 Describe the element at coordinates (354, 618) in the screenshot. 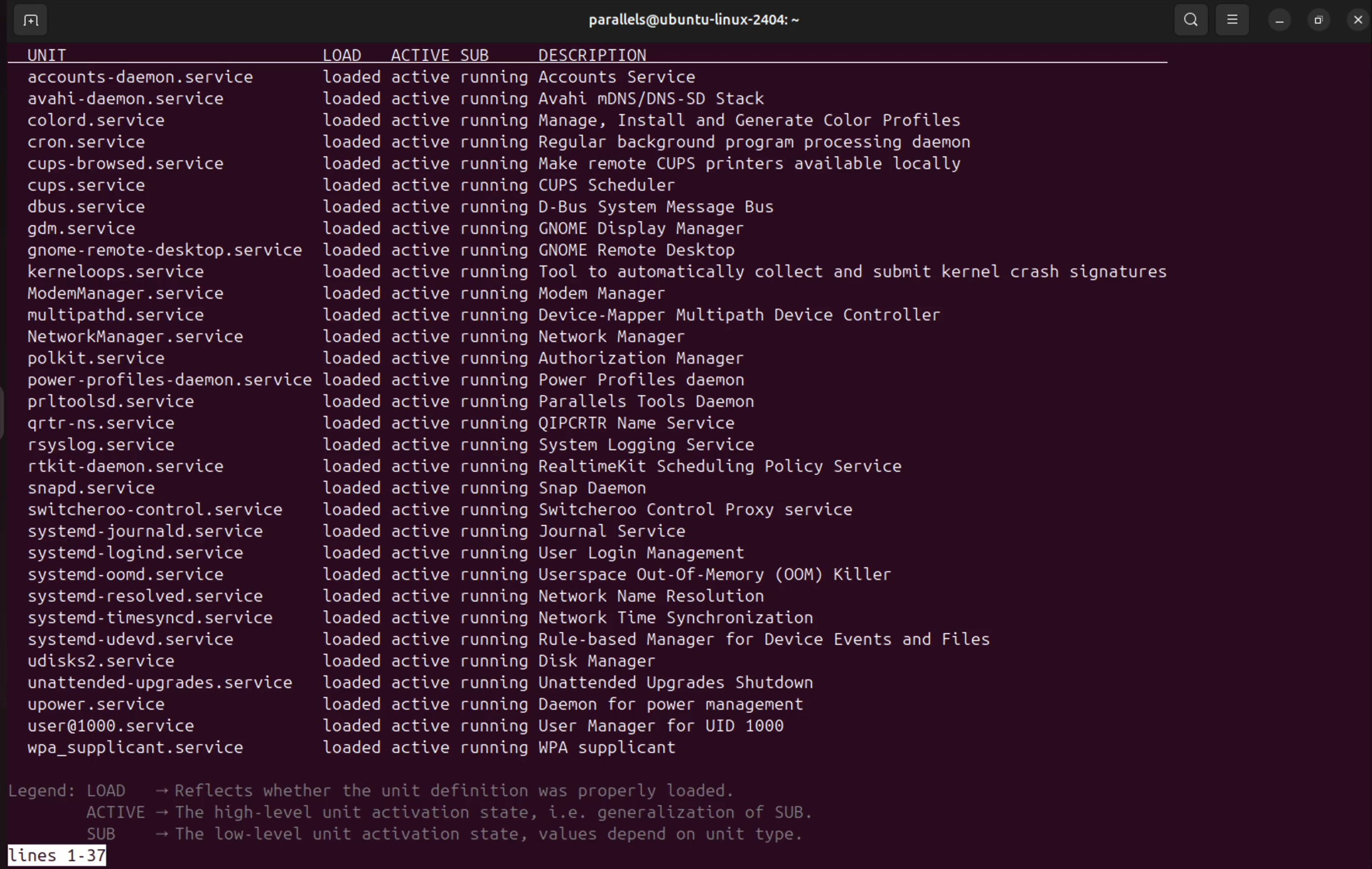

I see `loaded` at that location.